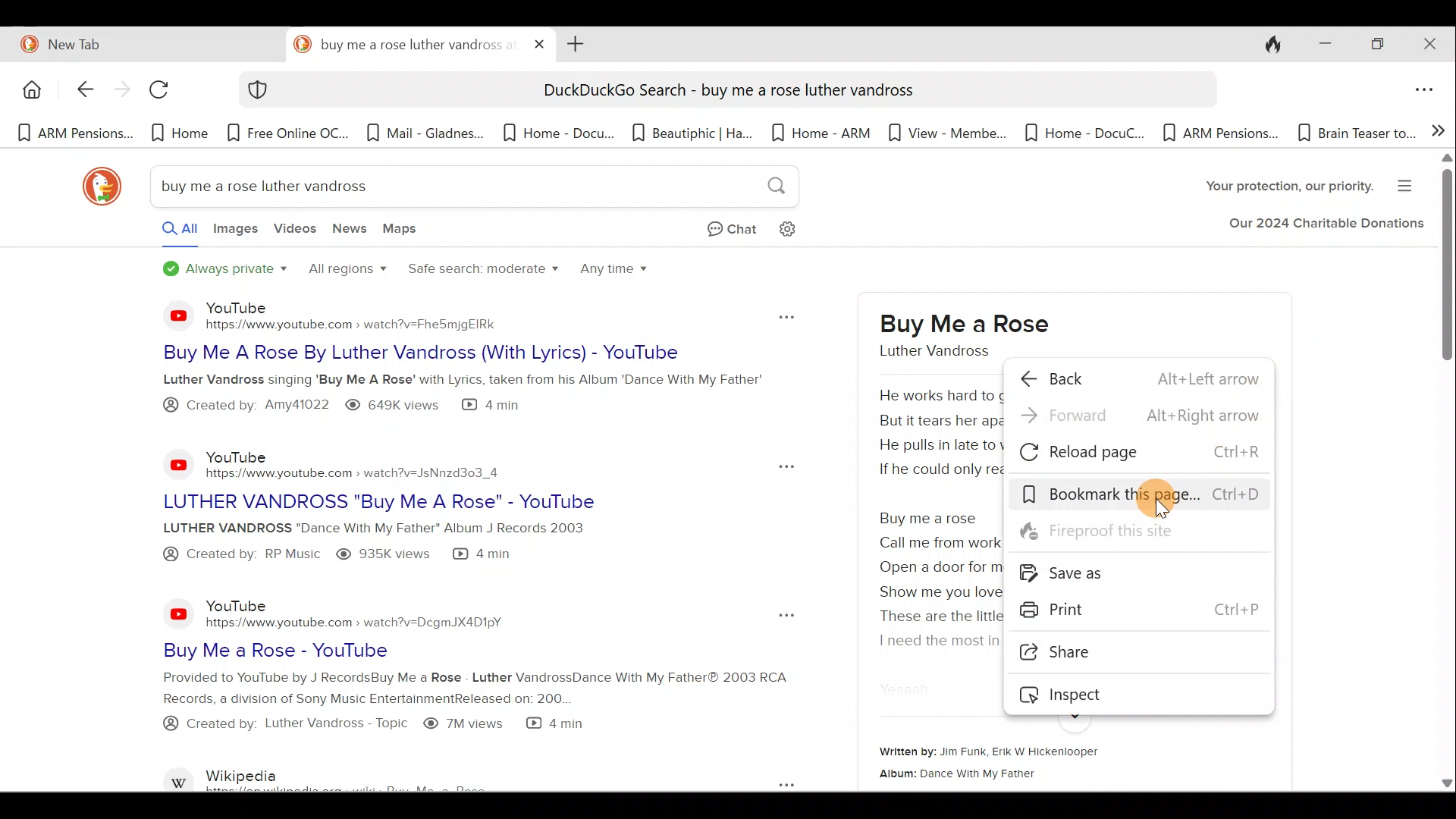 This screenshot has width=1456, height=819. What do you see at coordinates (425, 137) in the screenshot?
I see `Bookmark 4` at bounding box center [425, 137].